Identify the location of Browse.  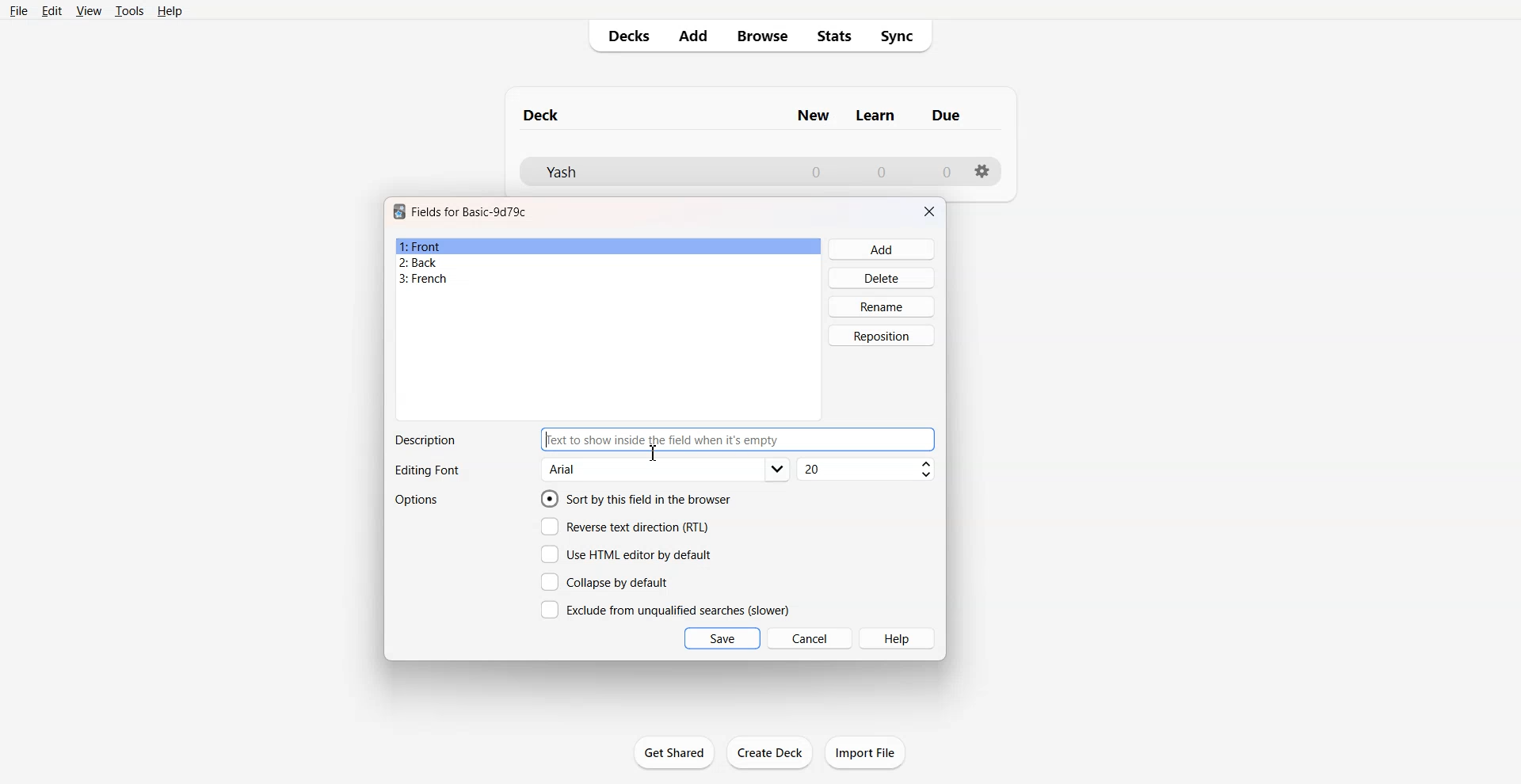
(761, 36).